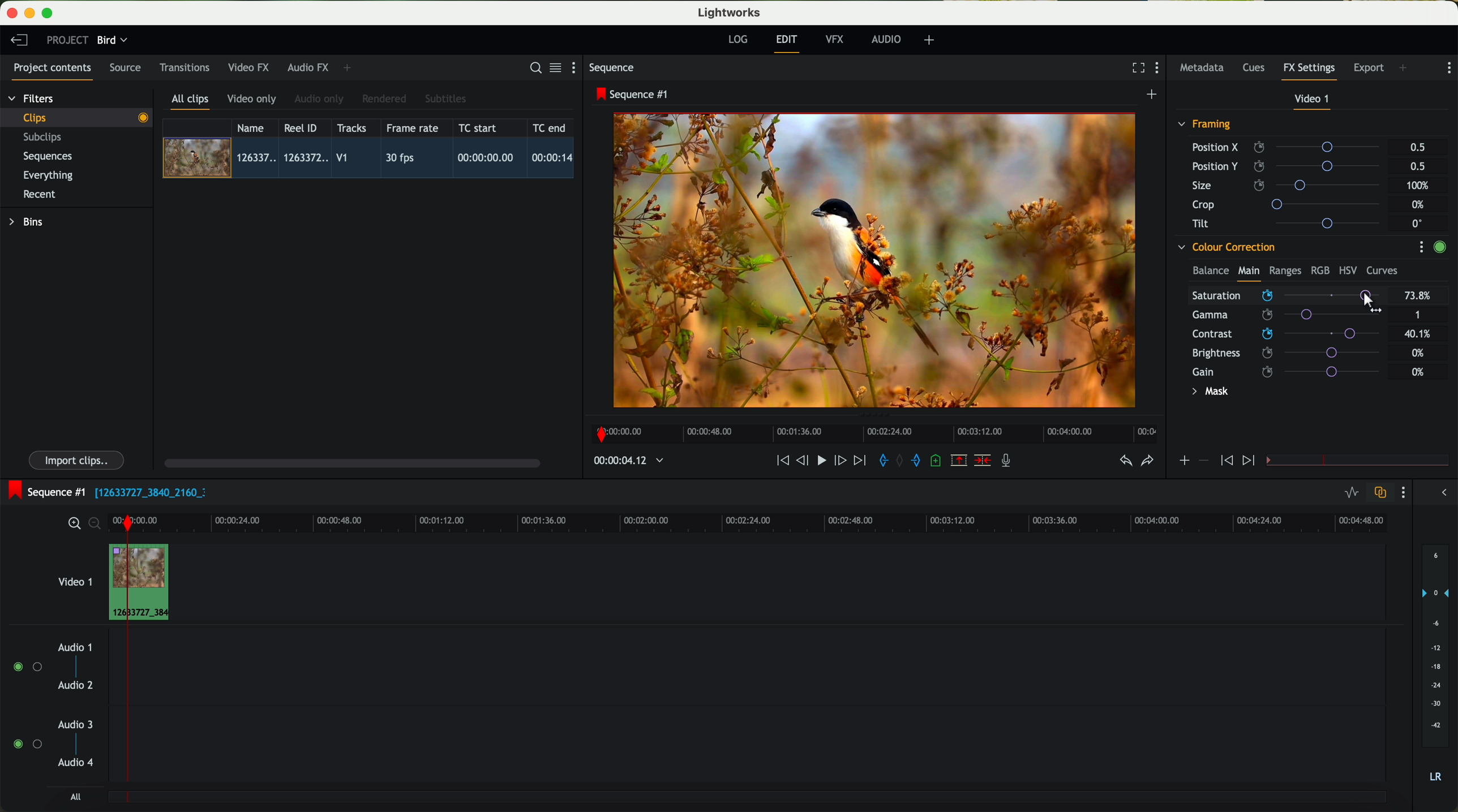 Image resolution: width=1458 pixels, height=812 pixels. Describe the element at coordinates (921, 459) in the screenshot. I see `add 'out' mark` at that location.